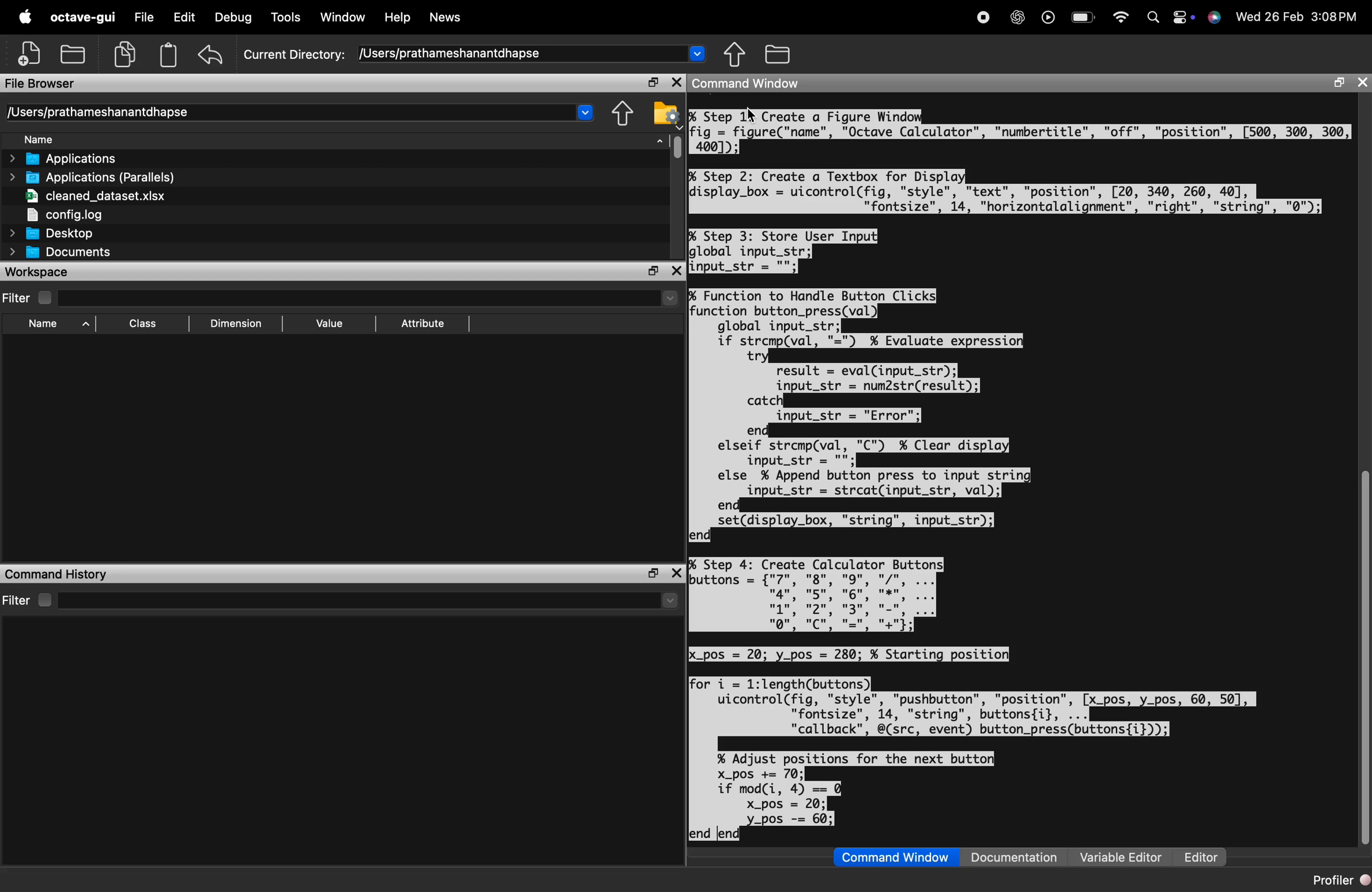 This screenshot has width=1372, height=892. What do you see at coordinates (82, 18) in the screenshot?
I see `octave-gui` at bounding box center [82, 18].